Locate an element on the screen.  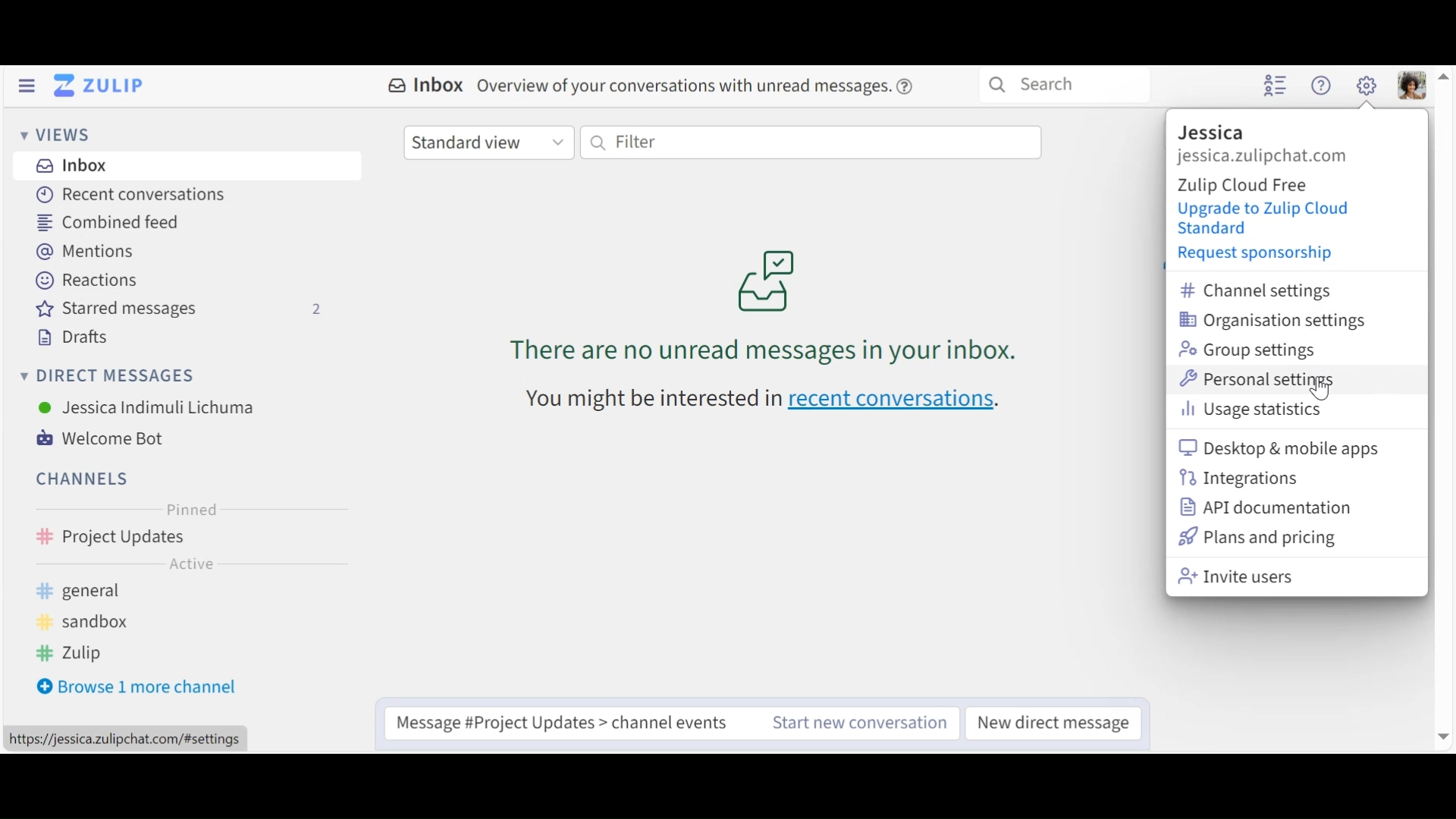
Views is located at coordinates (52, 134).